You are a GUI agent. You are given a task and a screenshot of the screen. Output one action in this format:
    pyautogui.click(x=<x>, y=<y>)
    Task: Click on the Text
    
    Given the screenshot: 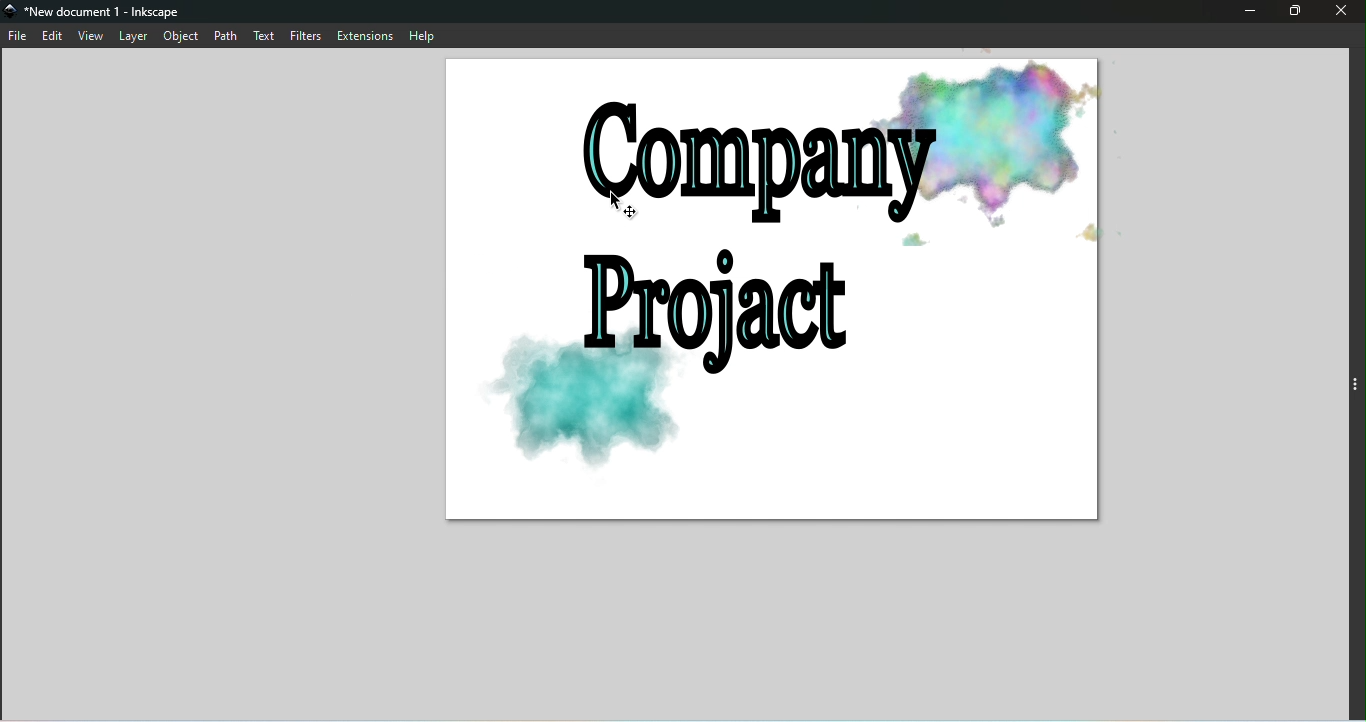 What is the action you would take?
    pyautogui.click(x=265, y=34)
    